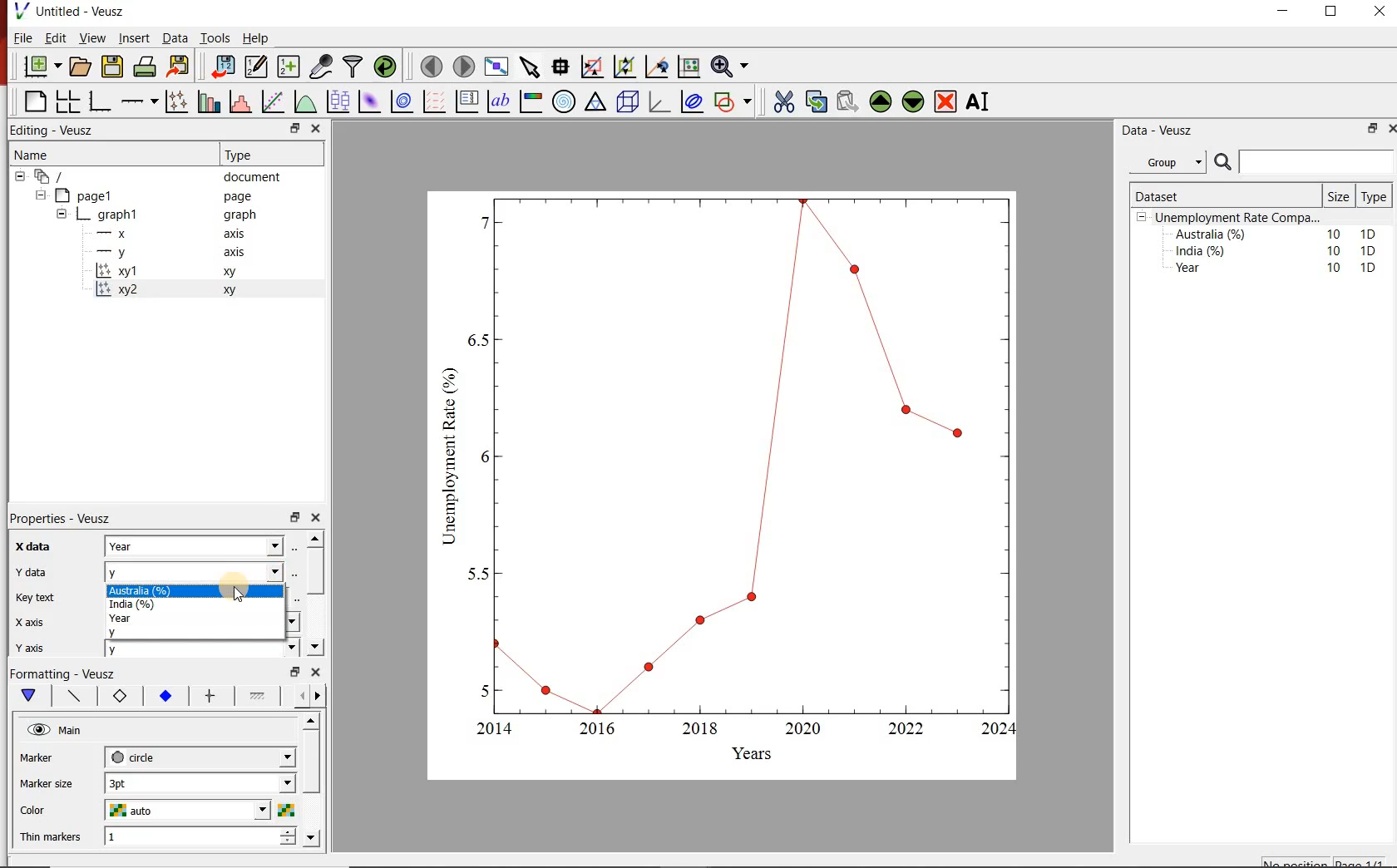 The height and width of the screenshot is (868, 1397). I want to click on Type, so click(260, 155).